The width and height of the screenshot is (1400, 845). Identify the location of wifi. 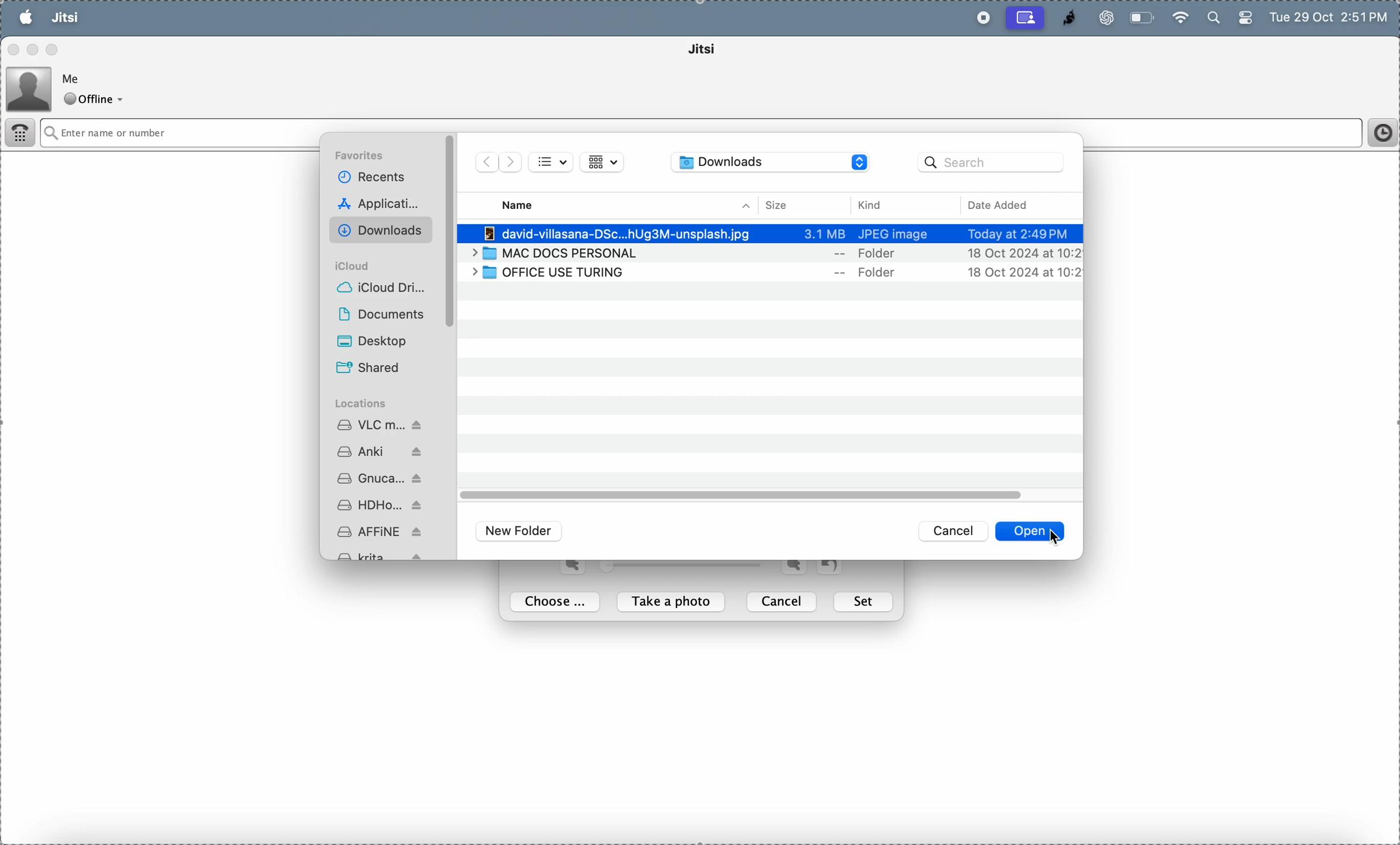
(1180, 16).